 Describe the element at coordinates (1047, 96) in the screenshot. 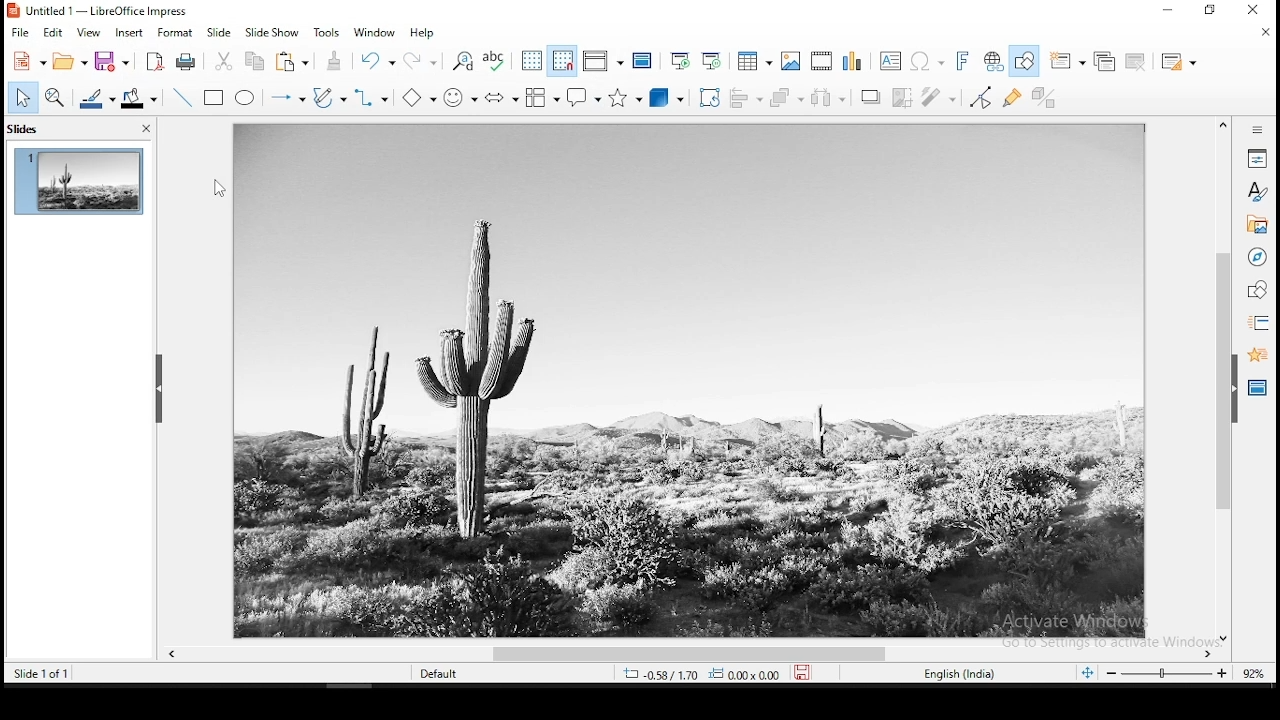

I see `toggle extrusiuon` at that location.